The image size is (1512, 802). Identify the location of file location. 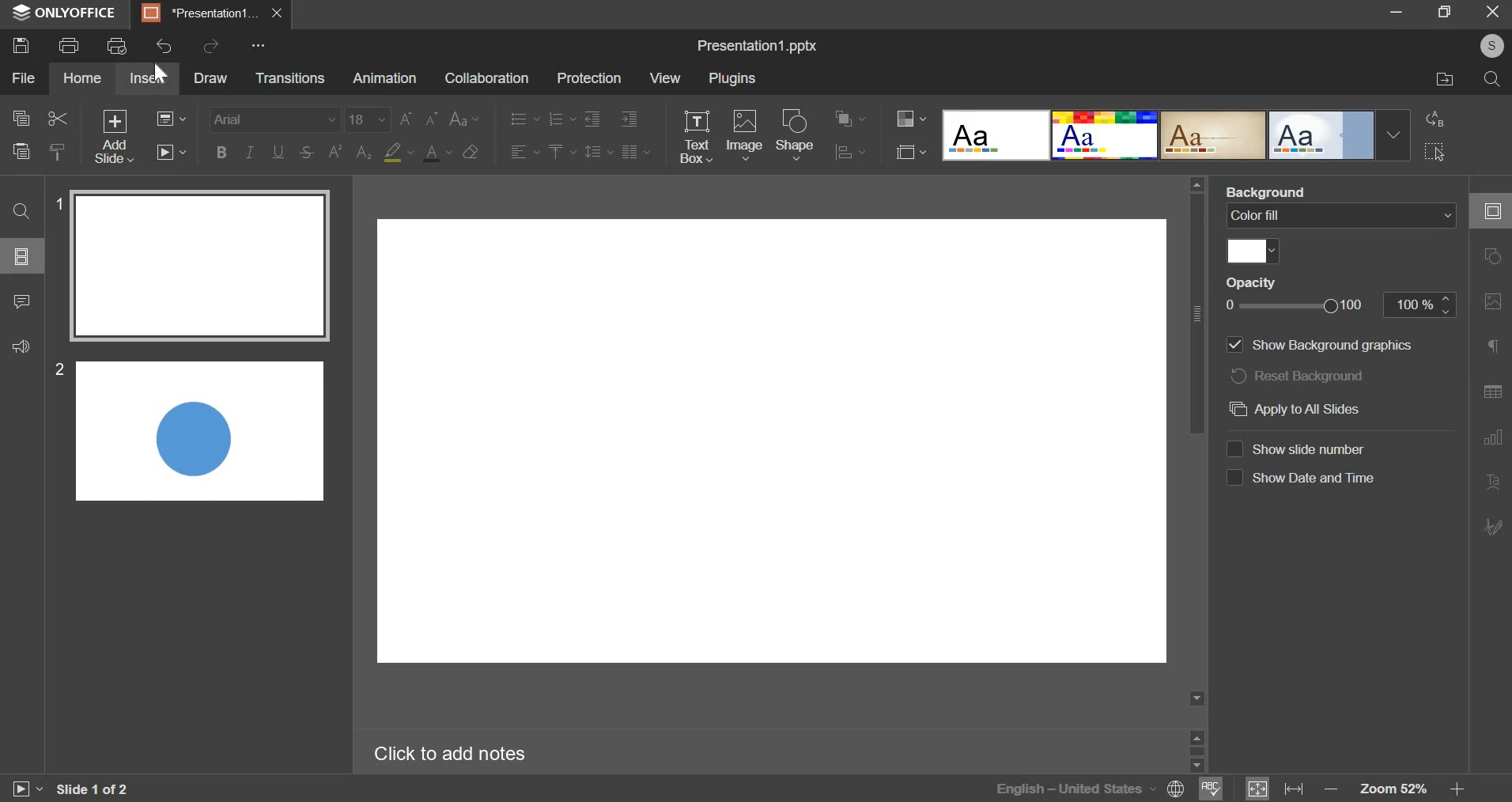
(1446, 81).